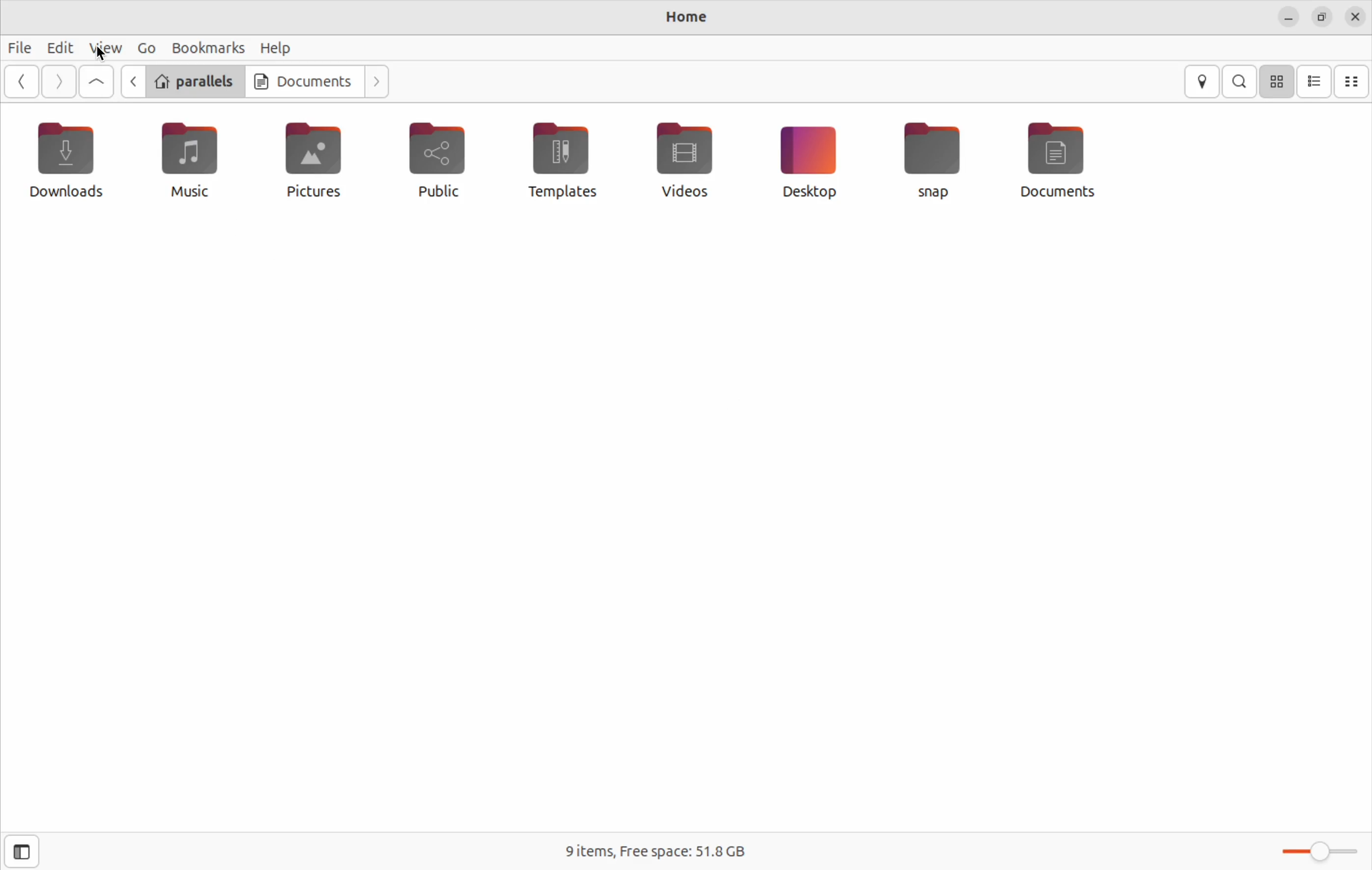 This screenshot has height=870, width=1372. Describe the element at coordinates (203, 47) in the screenshot. I see `Bookmarks` at that location.